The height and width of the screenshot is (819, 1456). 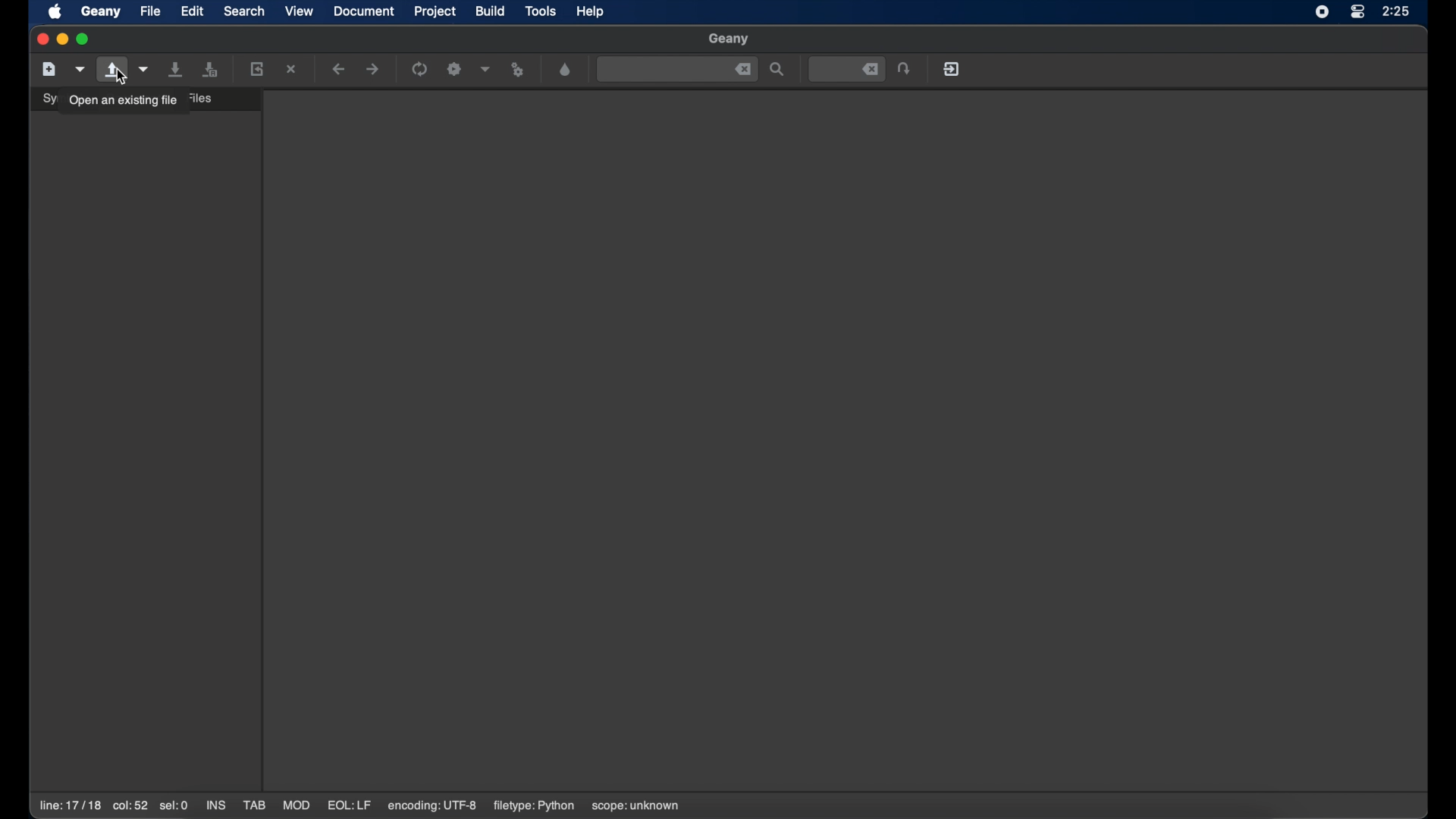 What do you see at coordinates (454, 69) in the screenshot?
I see `build the current file` at bounding box center [454, 69].